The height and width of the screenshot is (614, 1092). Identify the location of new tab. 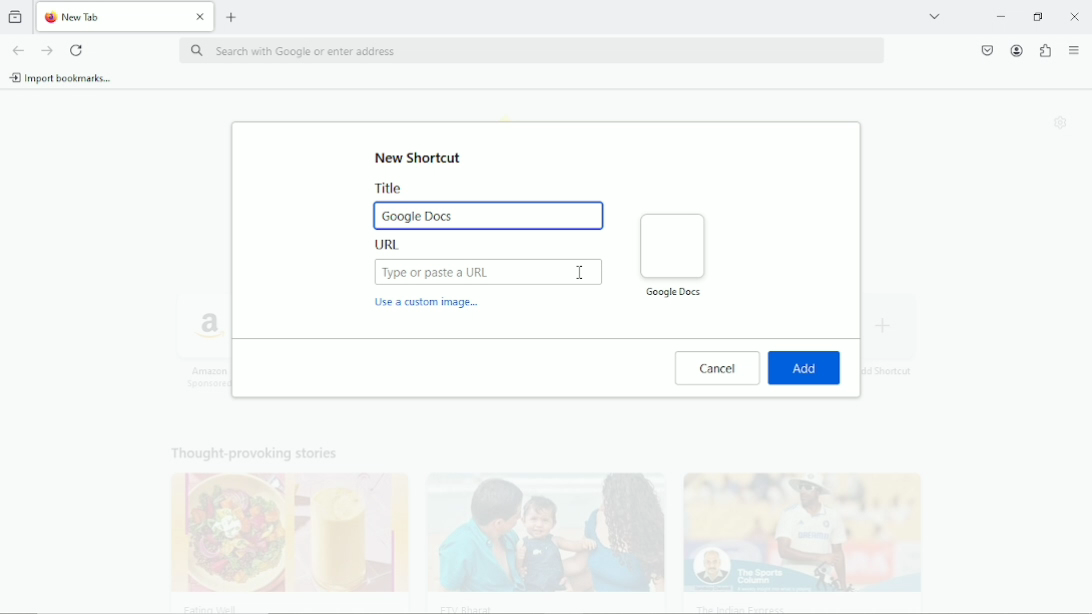
(232, 16).